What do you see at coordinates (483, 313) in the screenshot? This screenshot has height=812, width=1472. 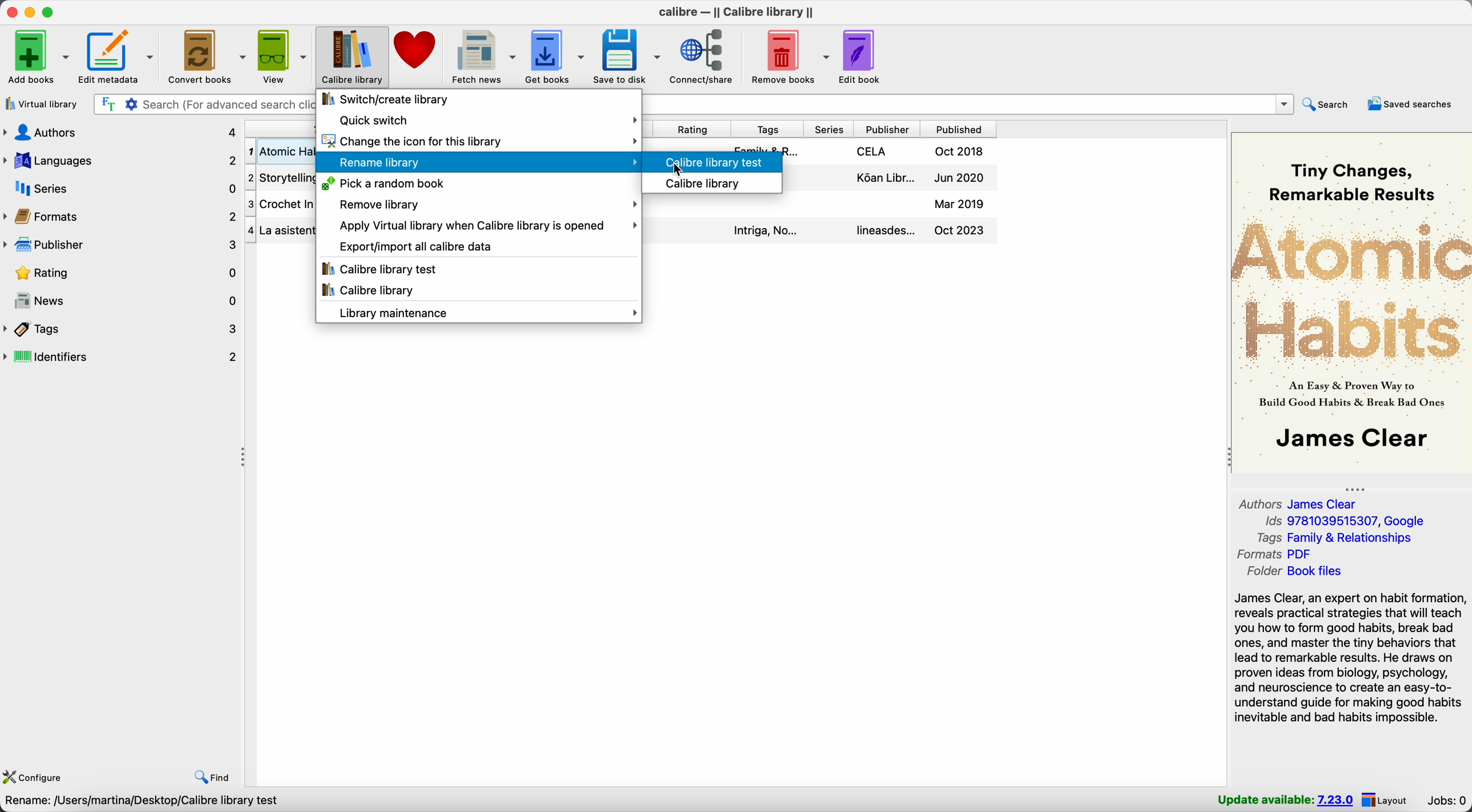 I see `library maintenance` at bounding box center [483, 313].